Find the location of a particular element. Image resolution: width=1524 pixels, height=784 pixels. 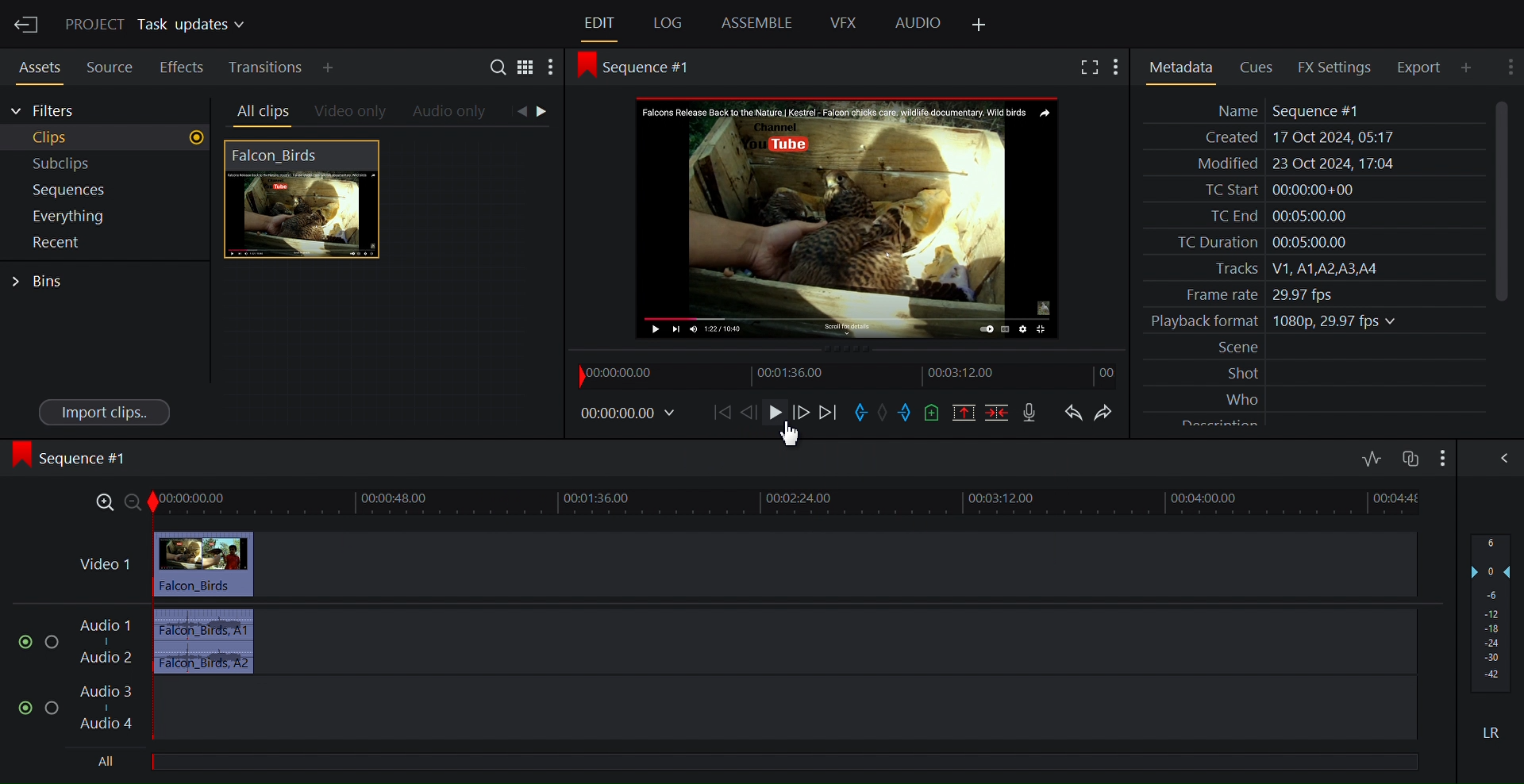

timeline is located at coordinates (792, 500).